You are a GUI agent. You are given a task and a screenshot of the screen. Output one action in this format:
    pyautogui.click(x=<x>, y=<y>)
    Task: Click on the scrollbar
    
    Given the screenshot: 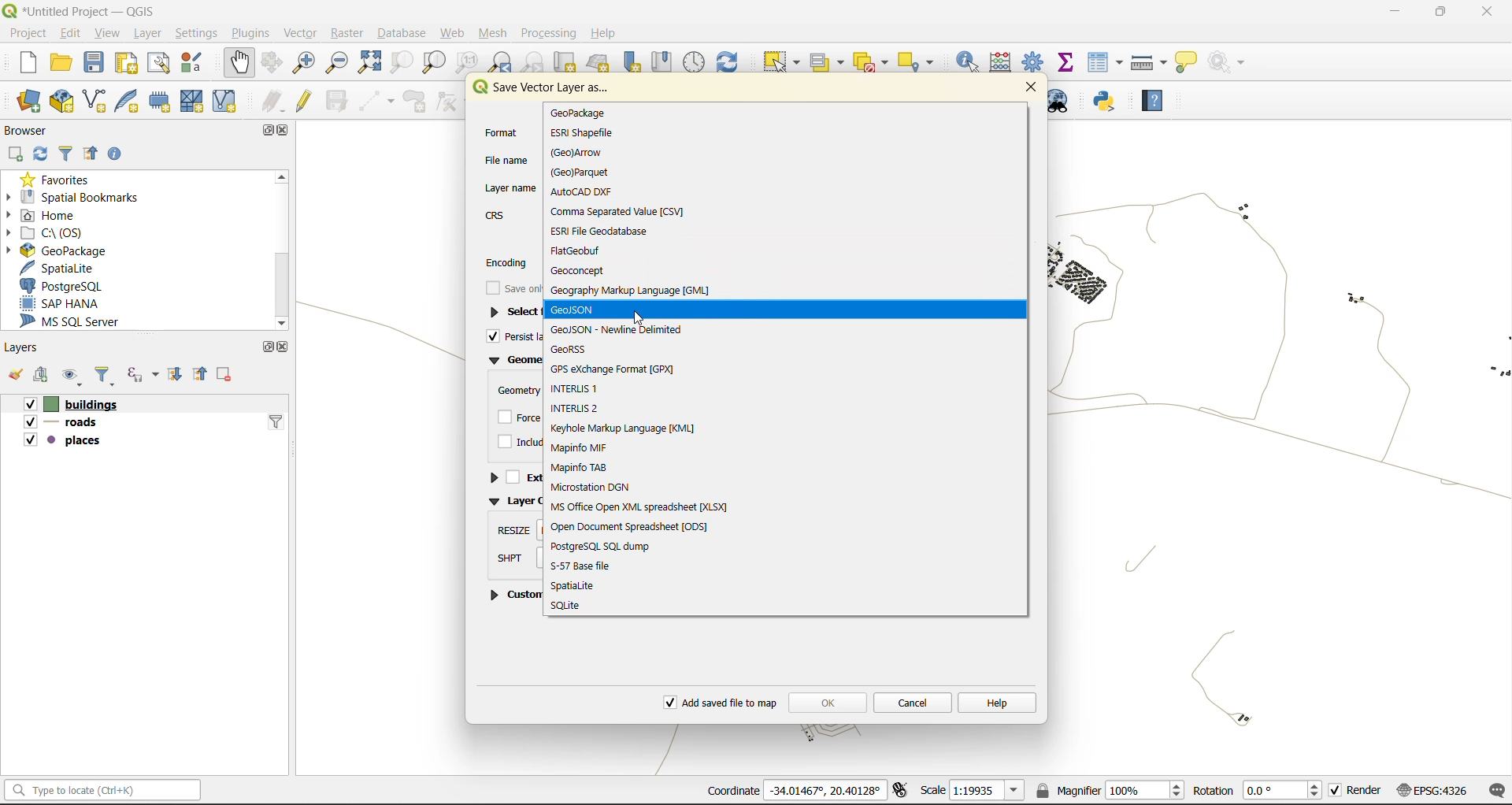 What is the action you would take?
    pyautogui.click(x=284, y=250)
    